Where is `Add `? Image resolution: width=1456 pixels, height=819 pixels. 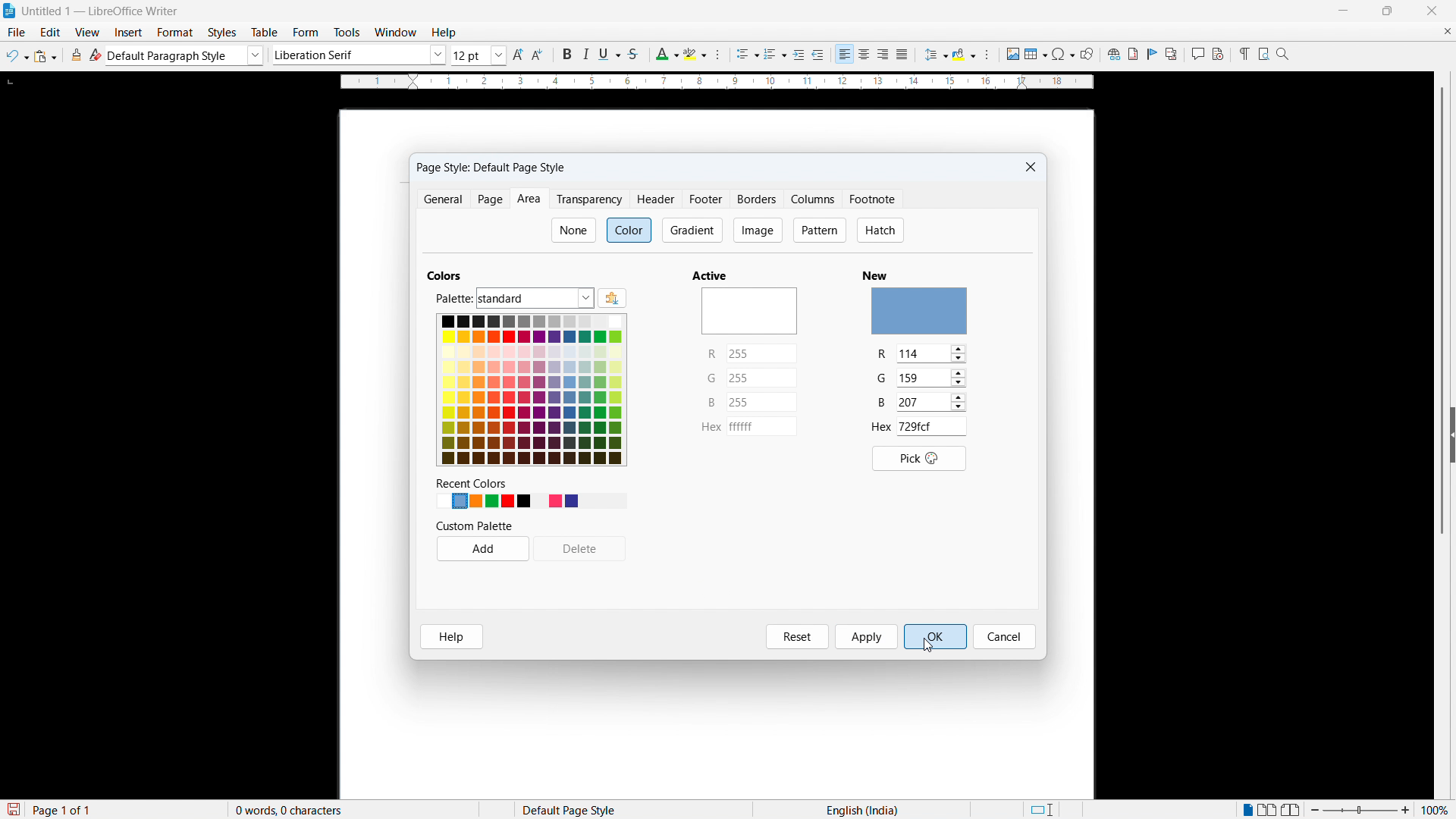
Add  is located at coordinates (483, 548).